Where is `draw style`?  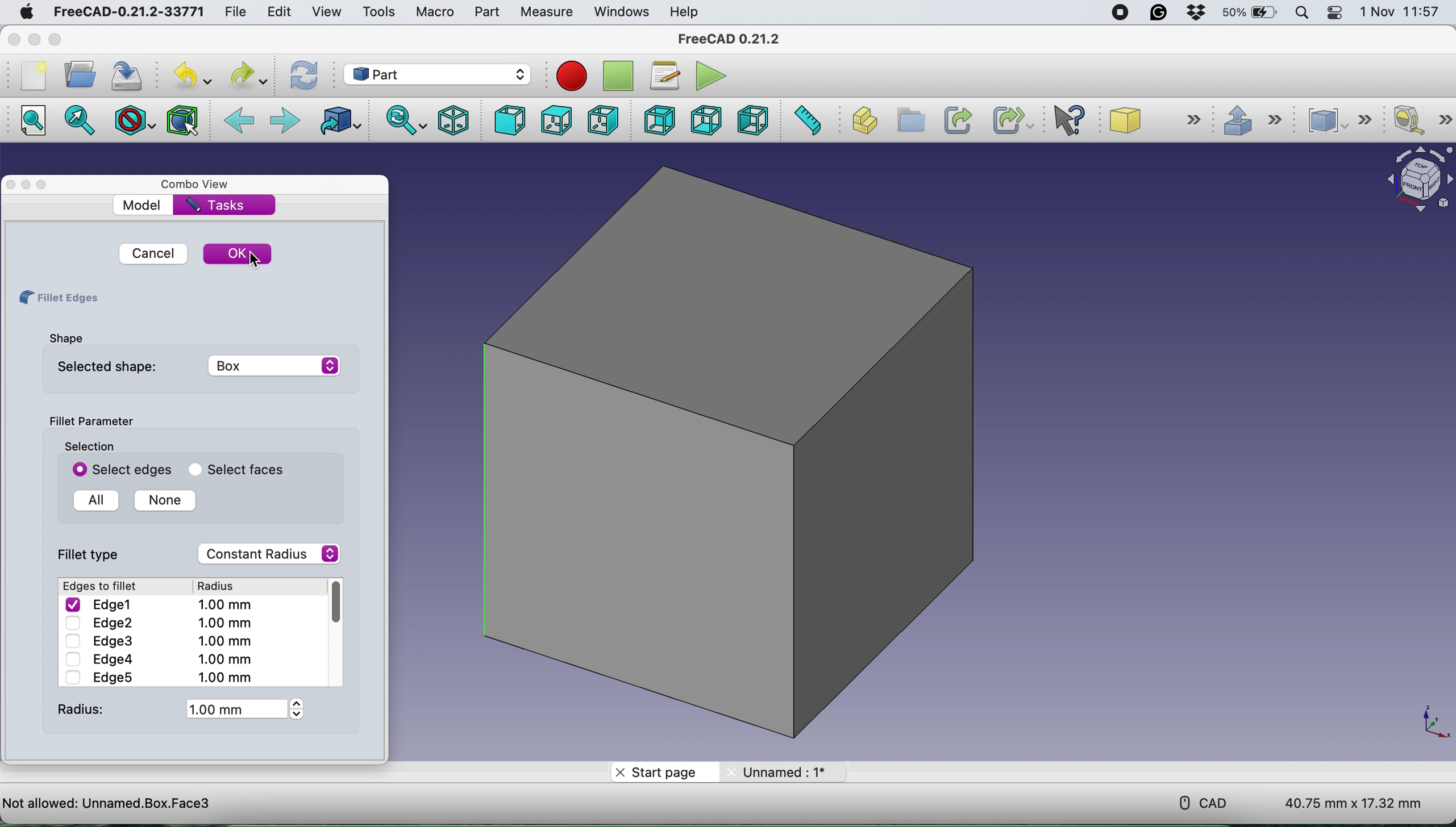
draw style is located at coordinates (135, 123).